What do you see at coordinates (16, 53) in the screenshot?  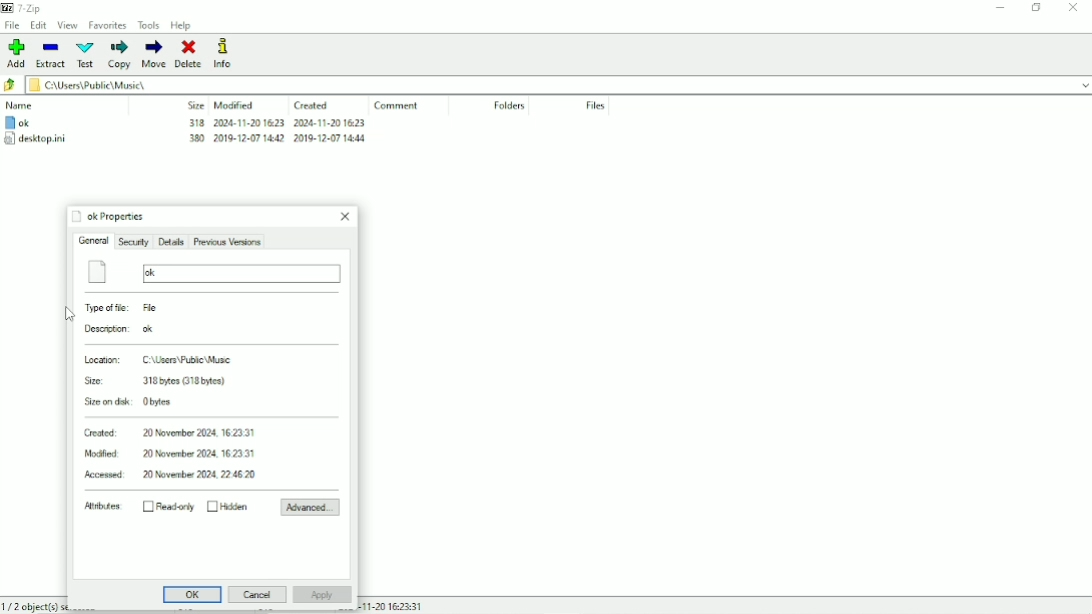 I see `Add` at bounding box center [16, 53].